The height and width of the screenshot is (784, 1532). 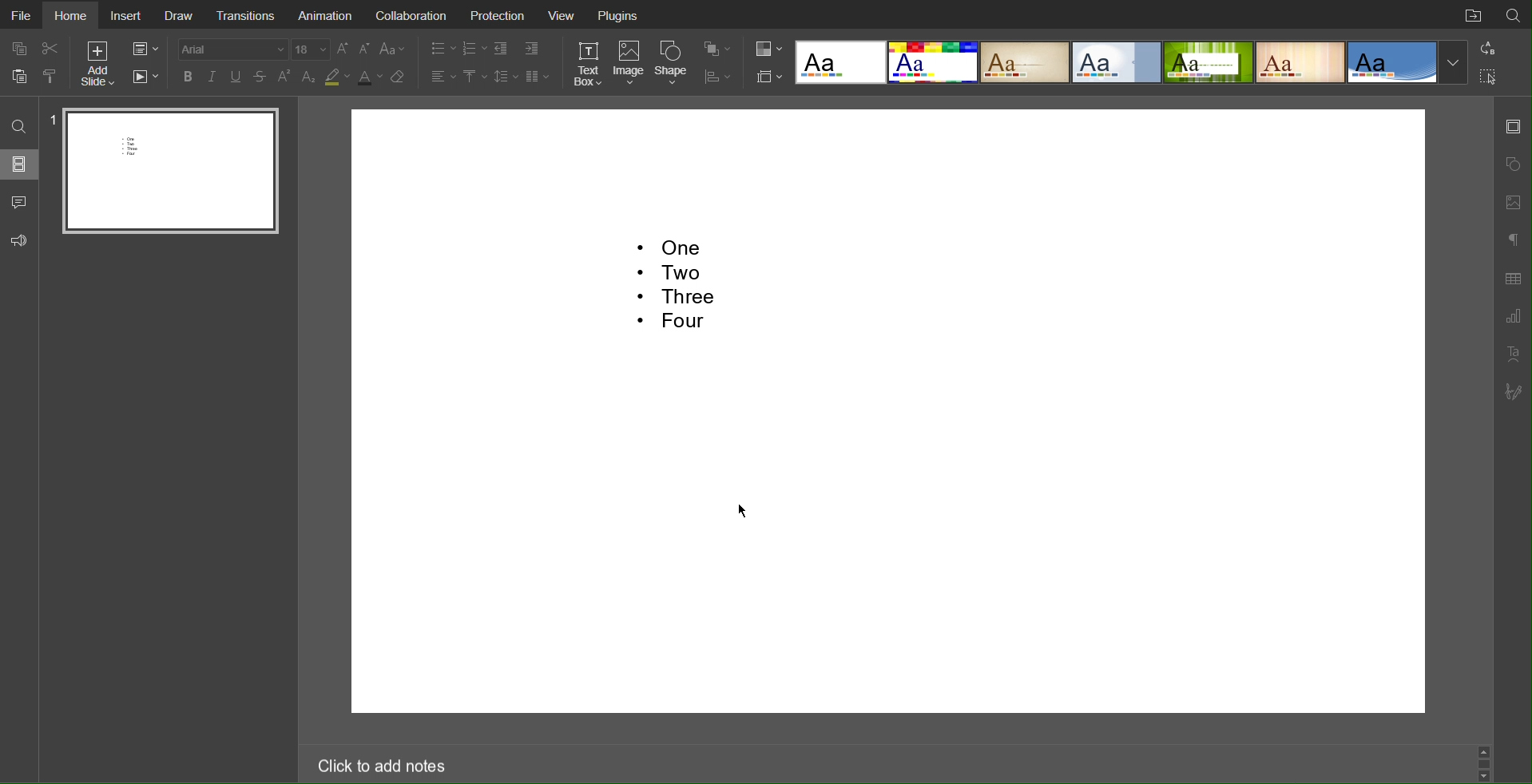 I want to click on Decrease Indent, so click(x=502, y=49).